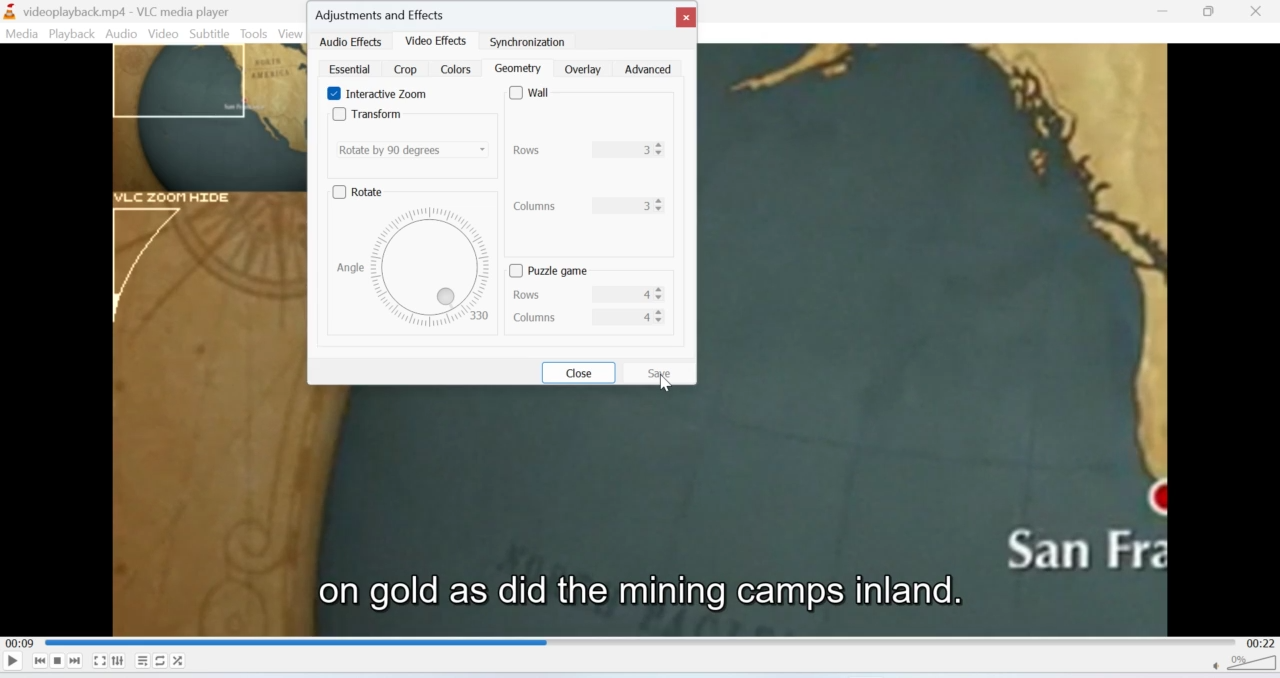 This screenshot has height=678, width=1280. Describe the element at coordinates (642, 642) in the screenshot. I see `Playbar` at that location.